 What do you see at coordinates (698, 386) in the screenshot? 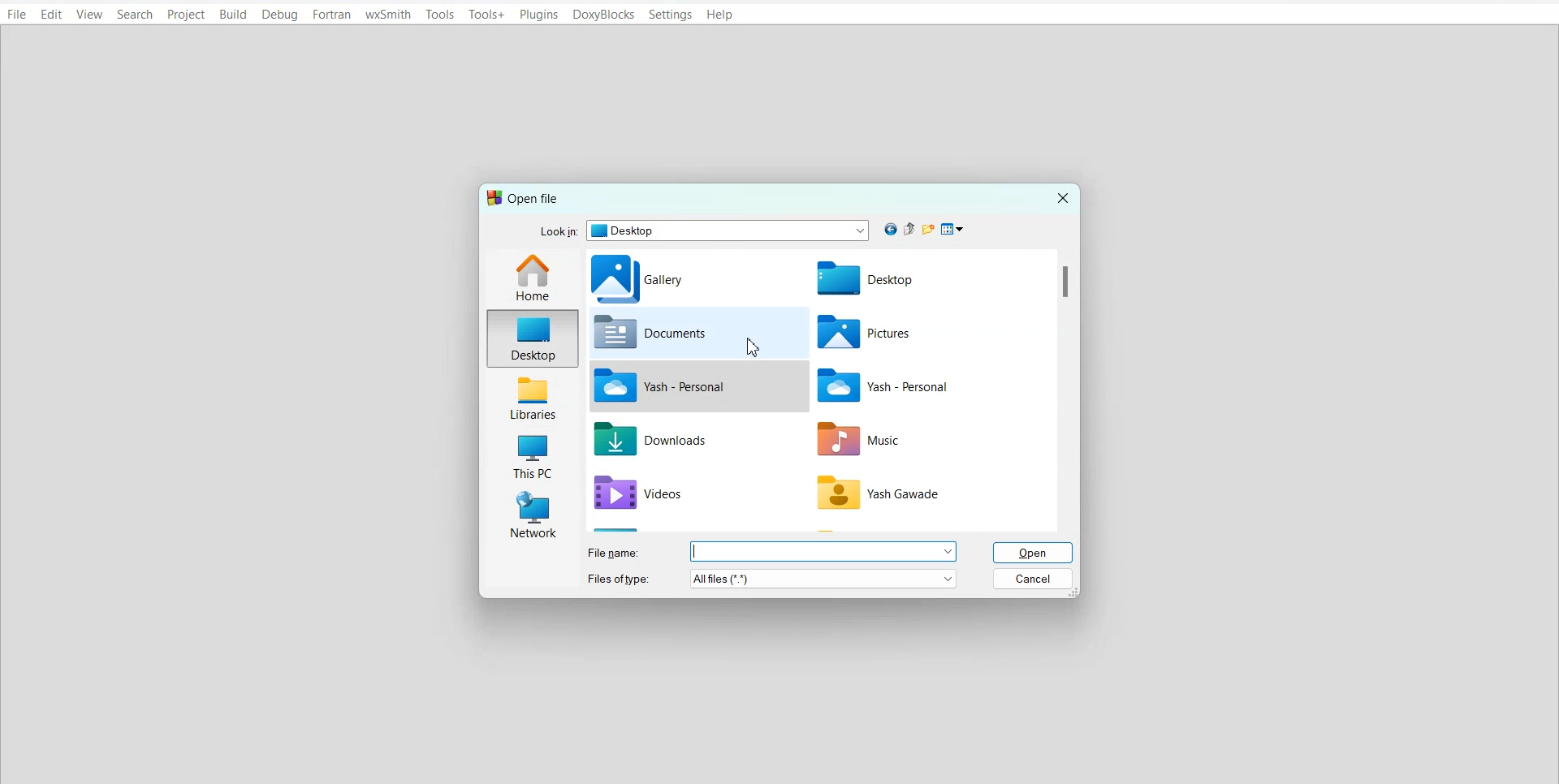
I see `Yash file` at bounding box center [698, 386].